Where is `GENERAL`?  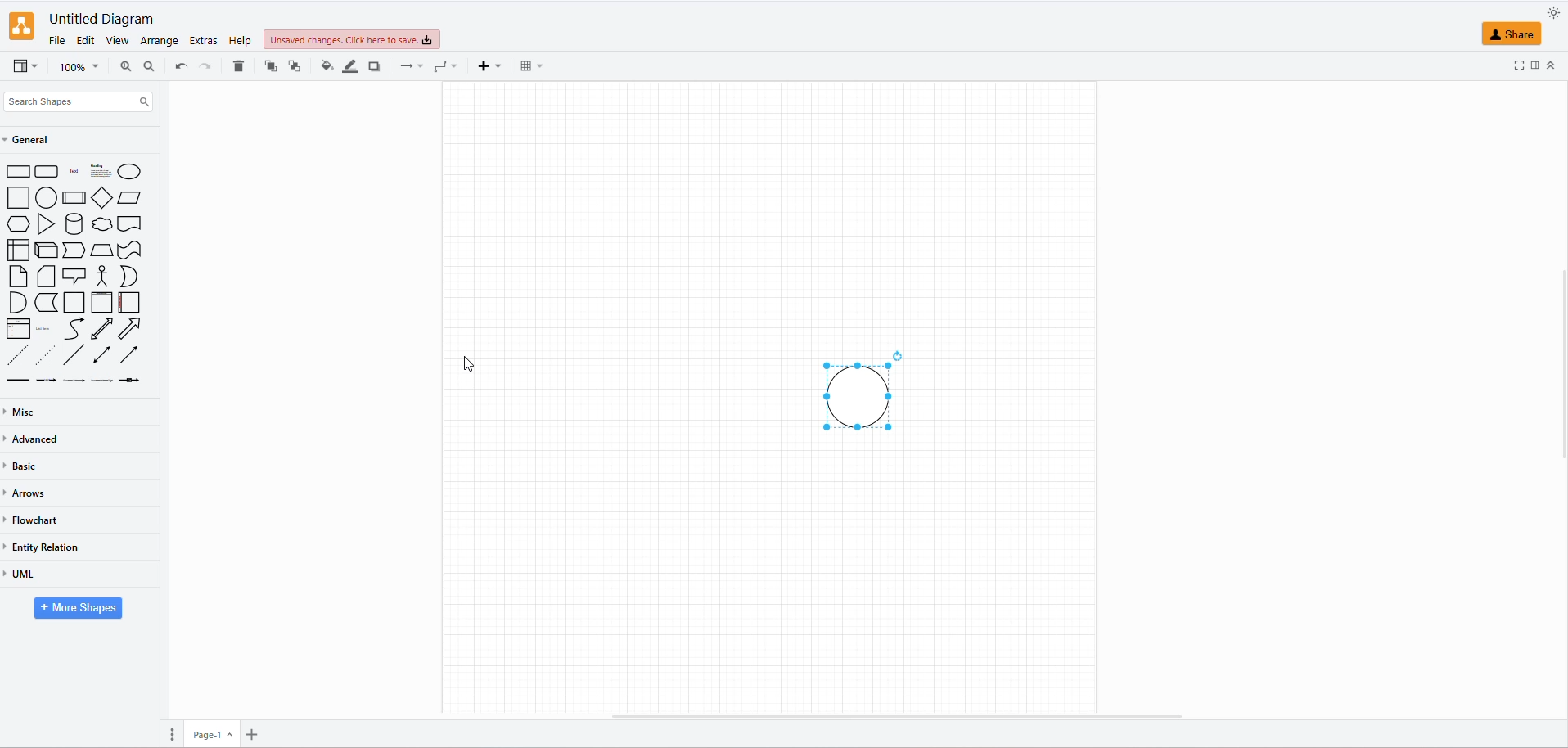
GENERAL is located at coordinates (31, 140).